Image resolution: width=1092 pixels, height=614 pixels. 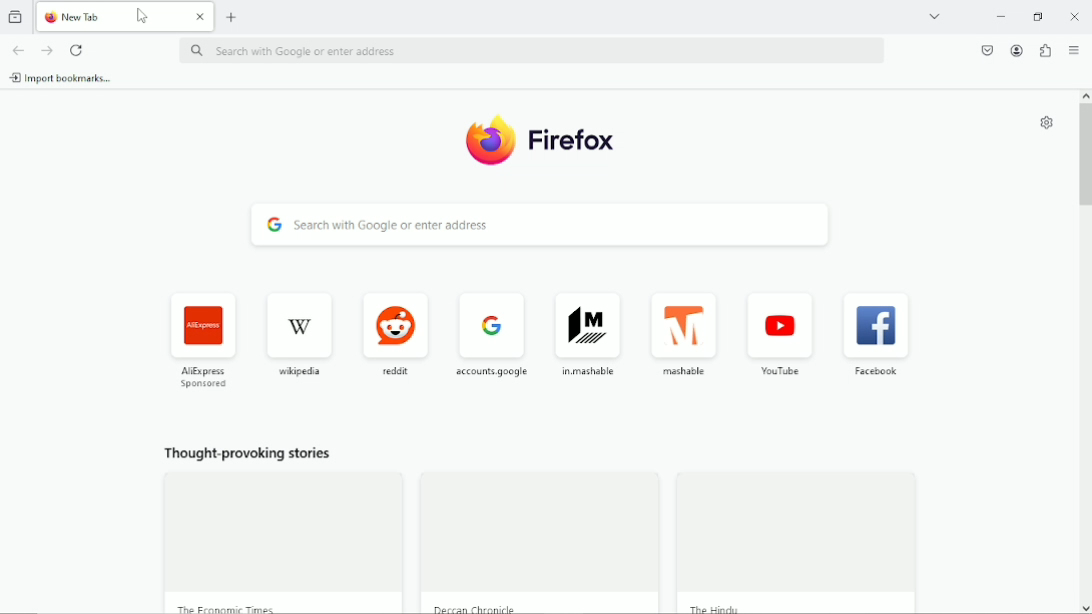 What do you see at coordinates (1050, 124) in the screenshot?
I see `Personalize new tab` at bounding box center [1050, 124].